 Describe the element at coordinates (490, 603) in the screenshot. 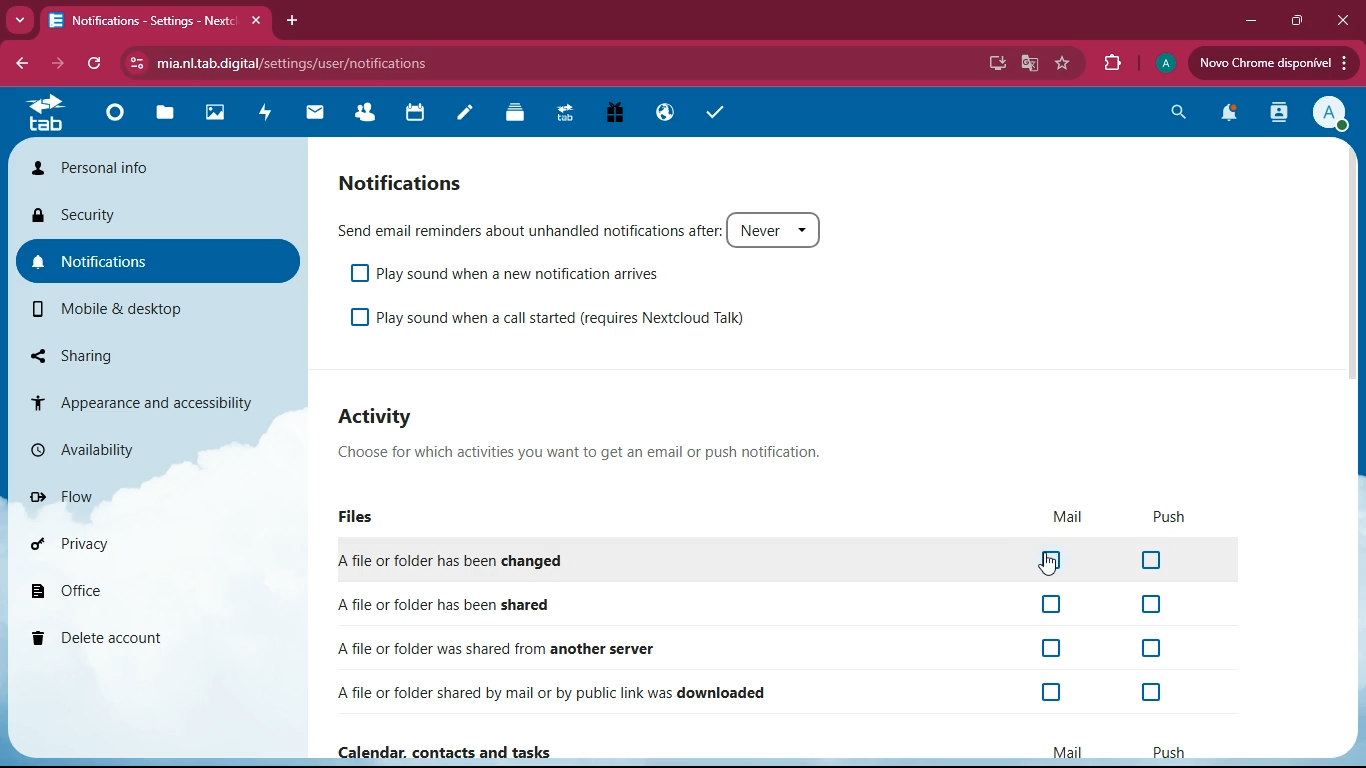

I see `shared` at that location.